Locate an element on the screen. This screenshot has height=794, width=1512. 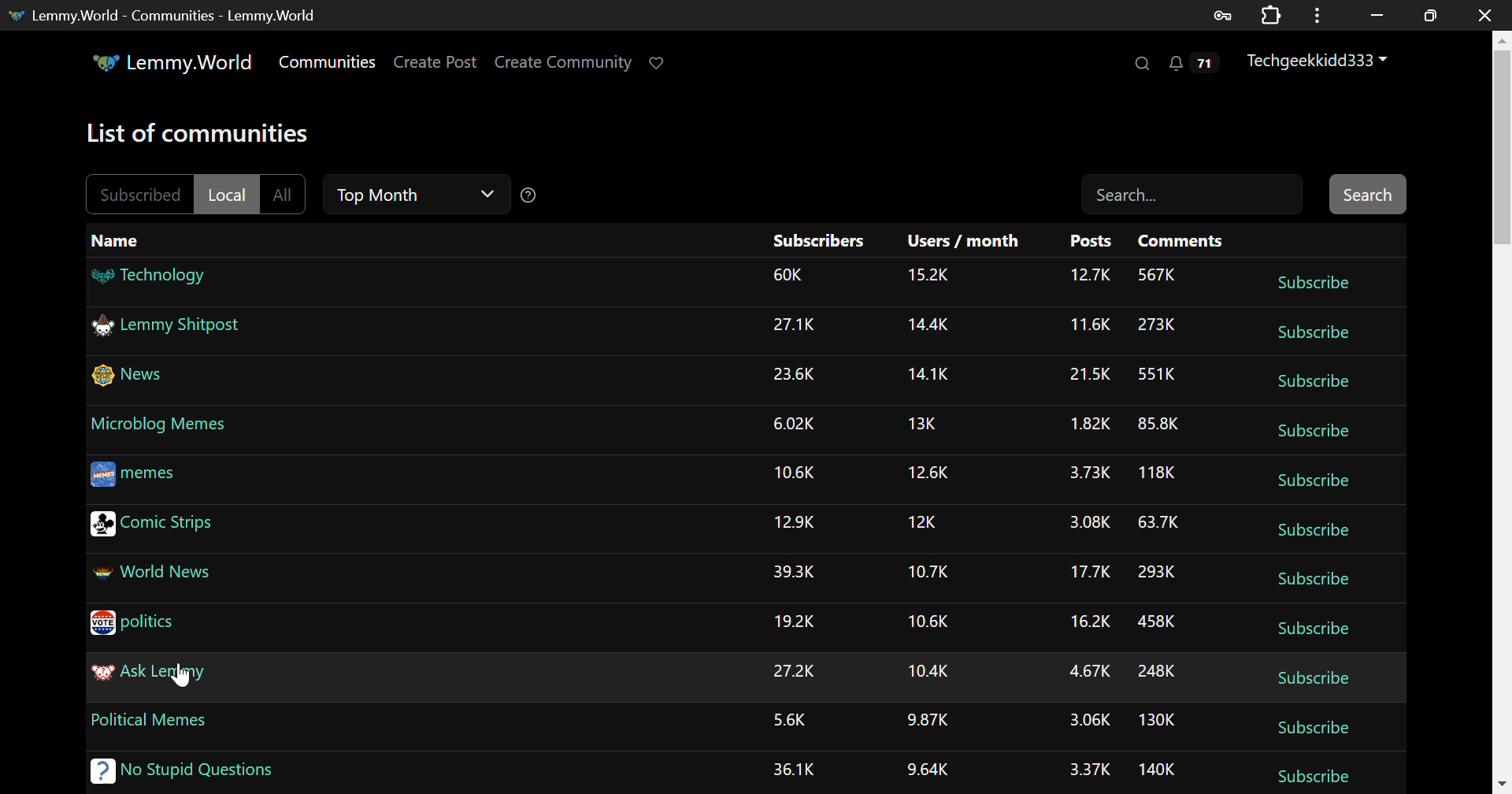
subscribe is located at coordinates (1314, 430).